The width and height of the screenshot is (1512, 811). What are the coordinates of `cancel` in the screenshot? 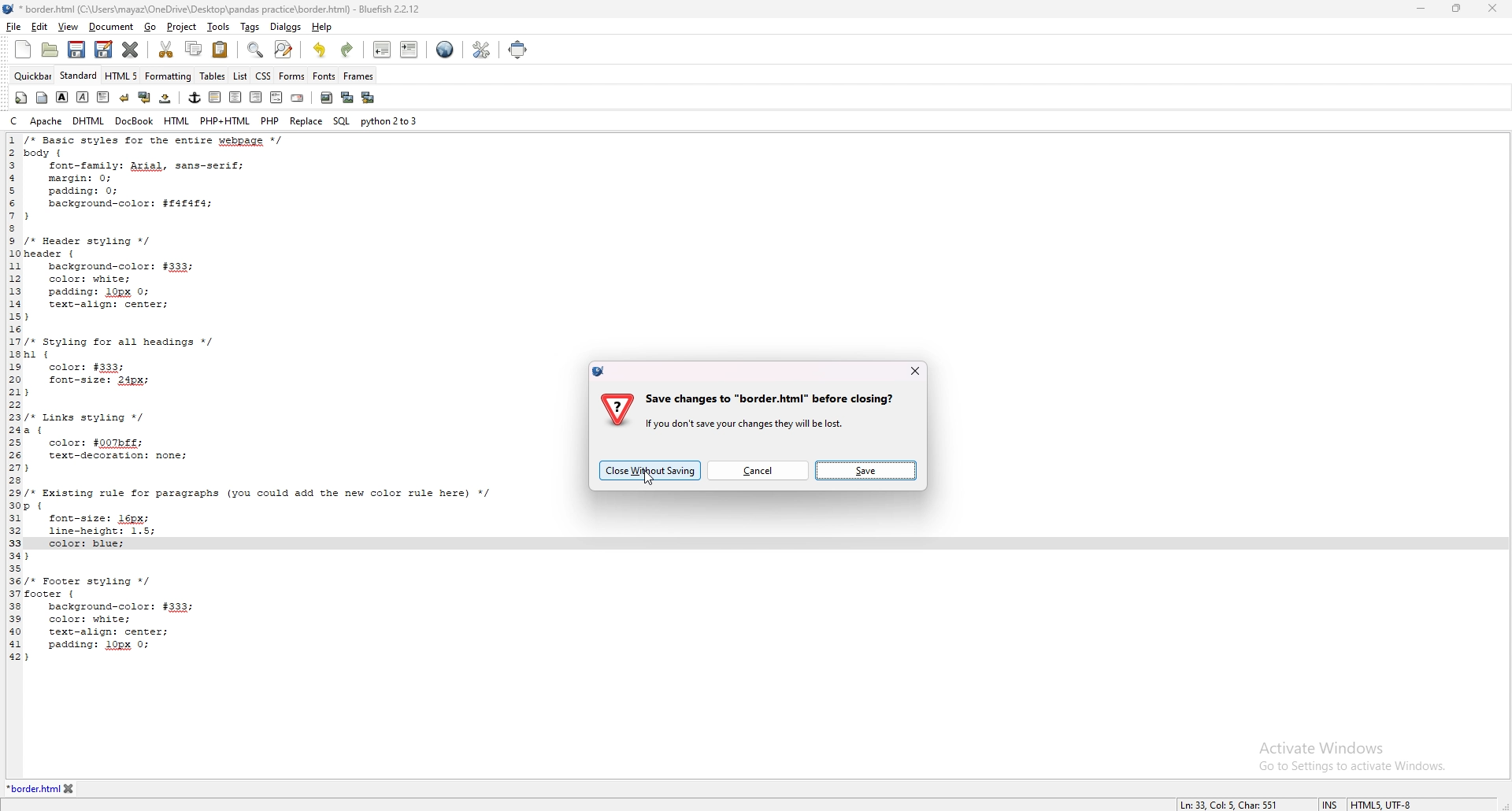 It's located at (757, 470).